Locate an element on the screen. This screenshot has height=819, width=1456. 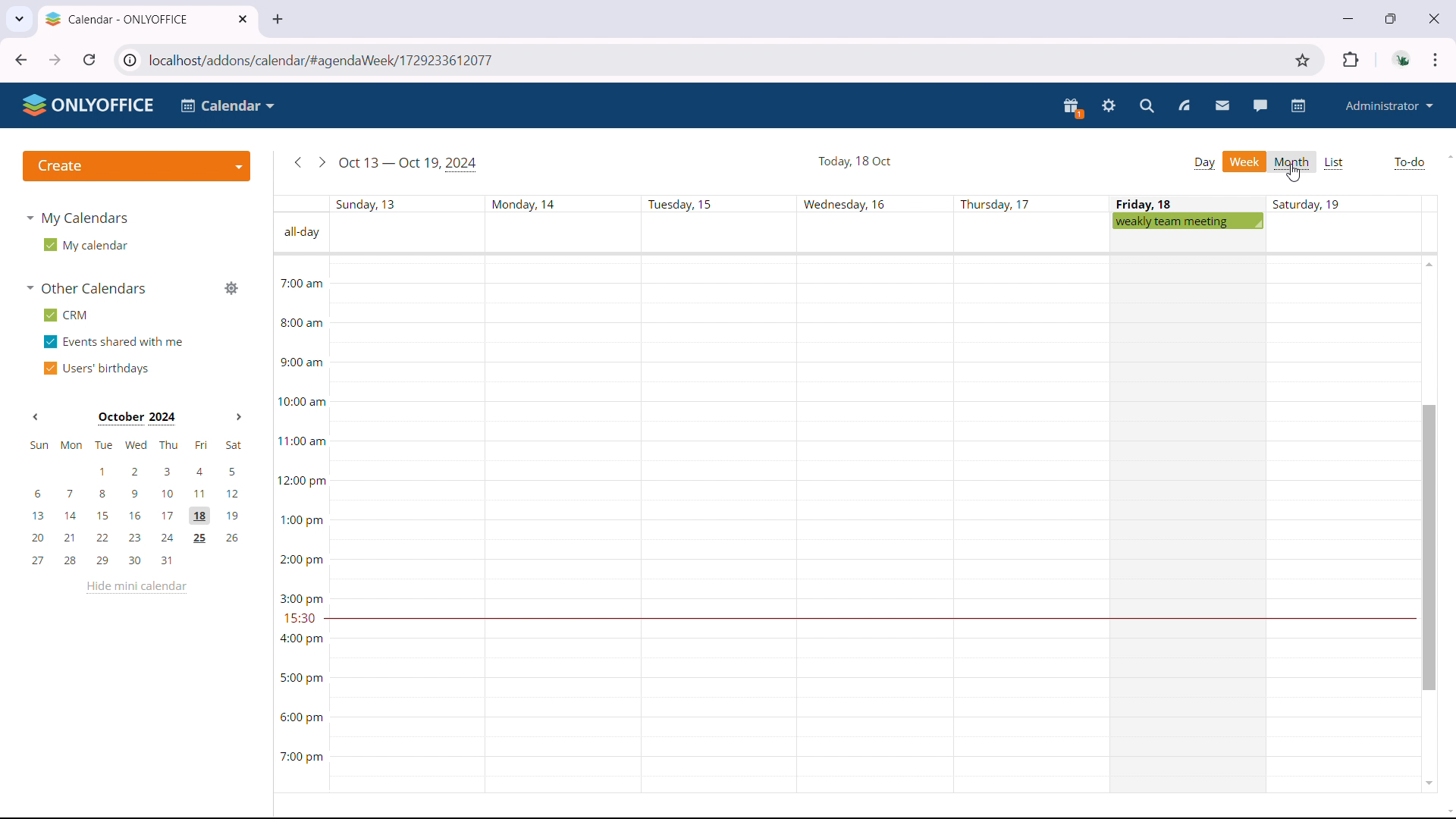
settings is located at coordinates (1107, 106).